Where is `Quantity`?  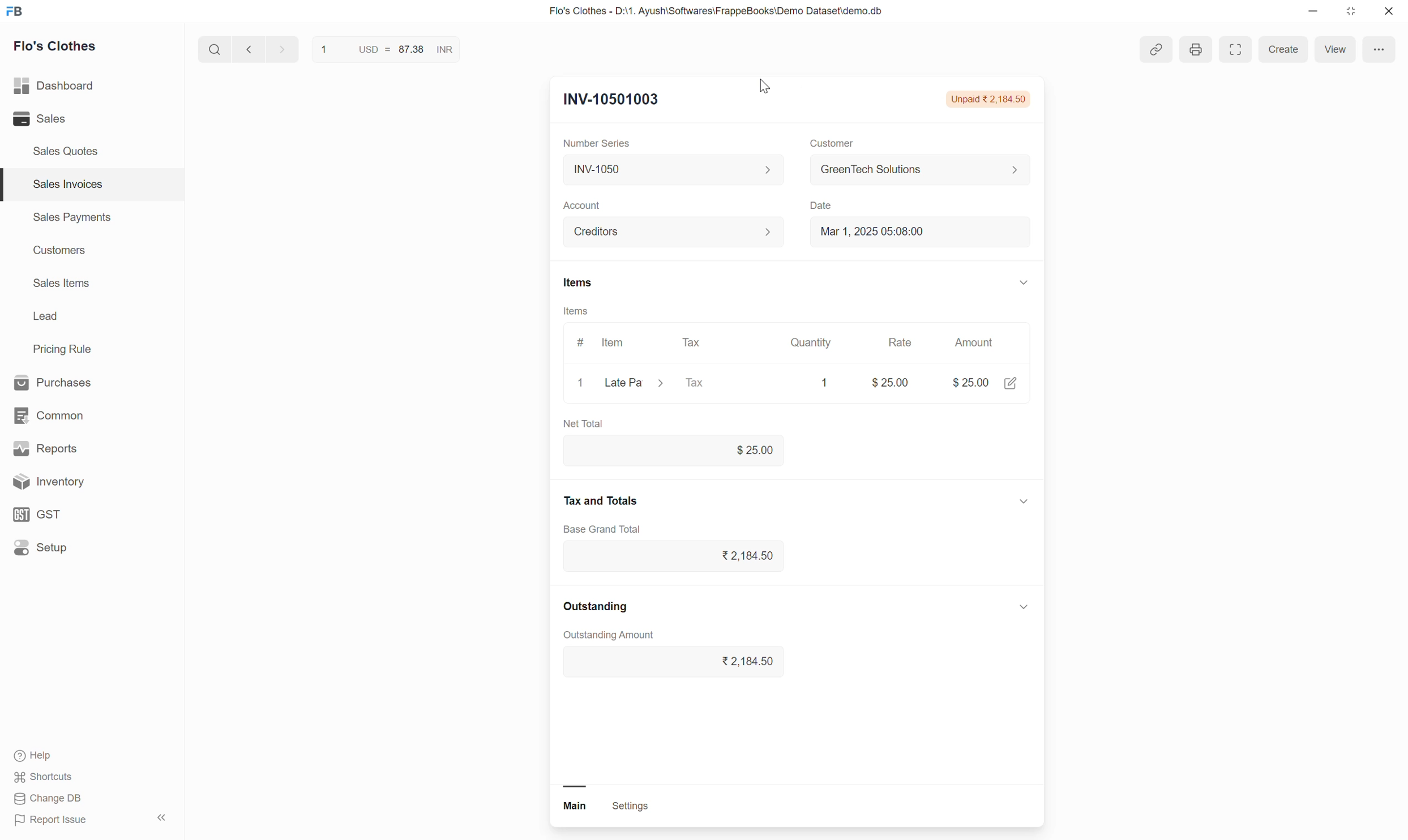 Quantity is located at coordinates (823, 380).